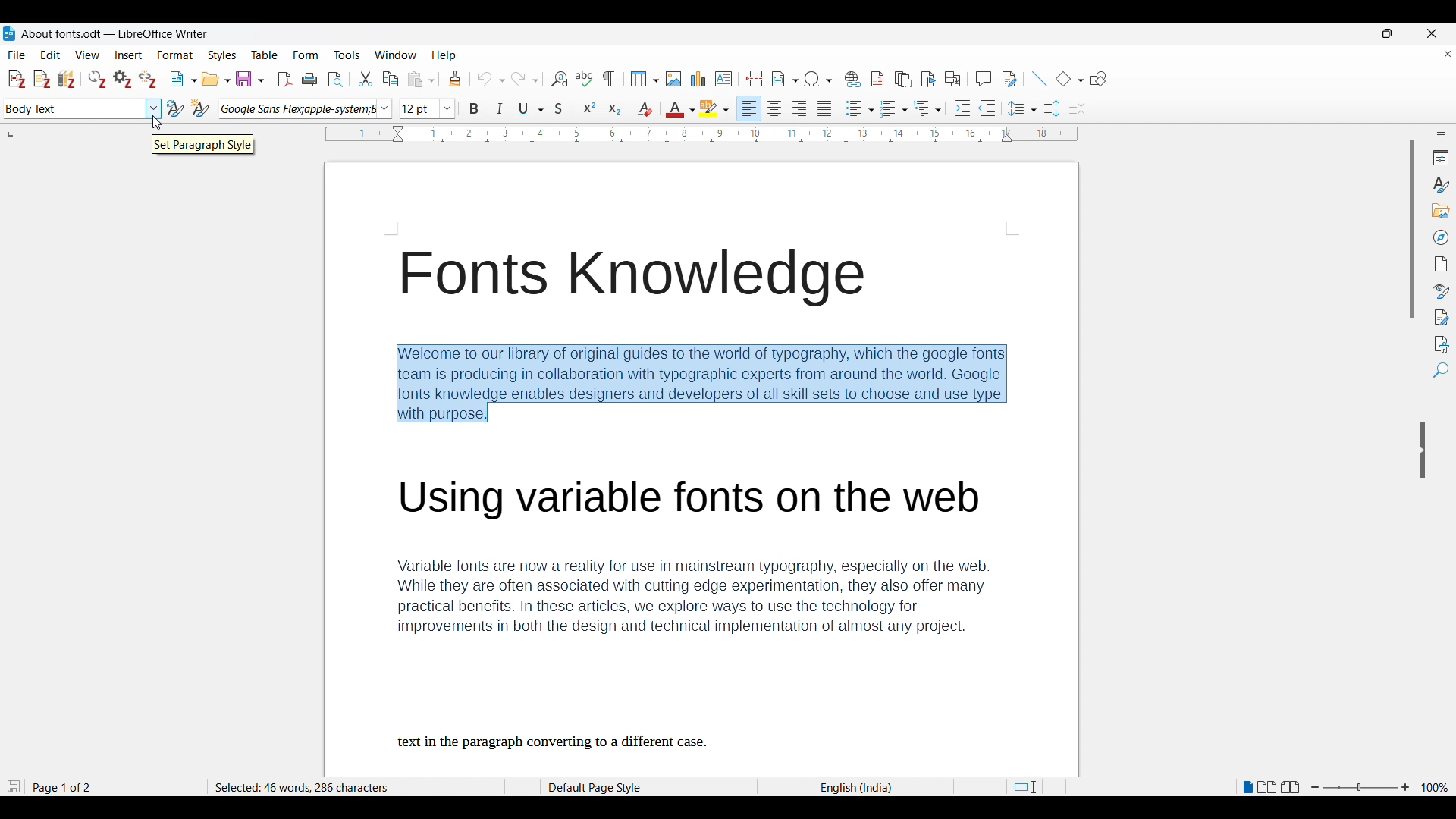 The height and width of the screenshot is (819, 1456). I want to click on Insert text box, so click(723, 79).